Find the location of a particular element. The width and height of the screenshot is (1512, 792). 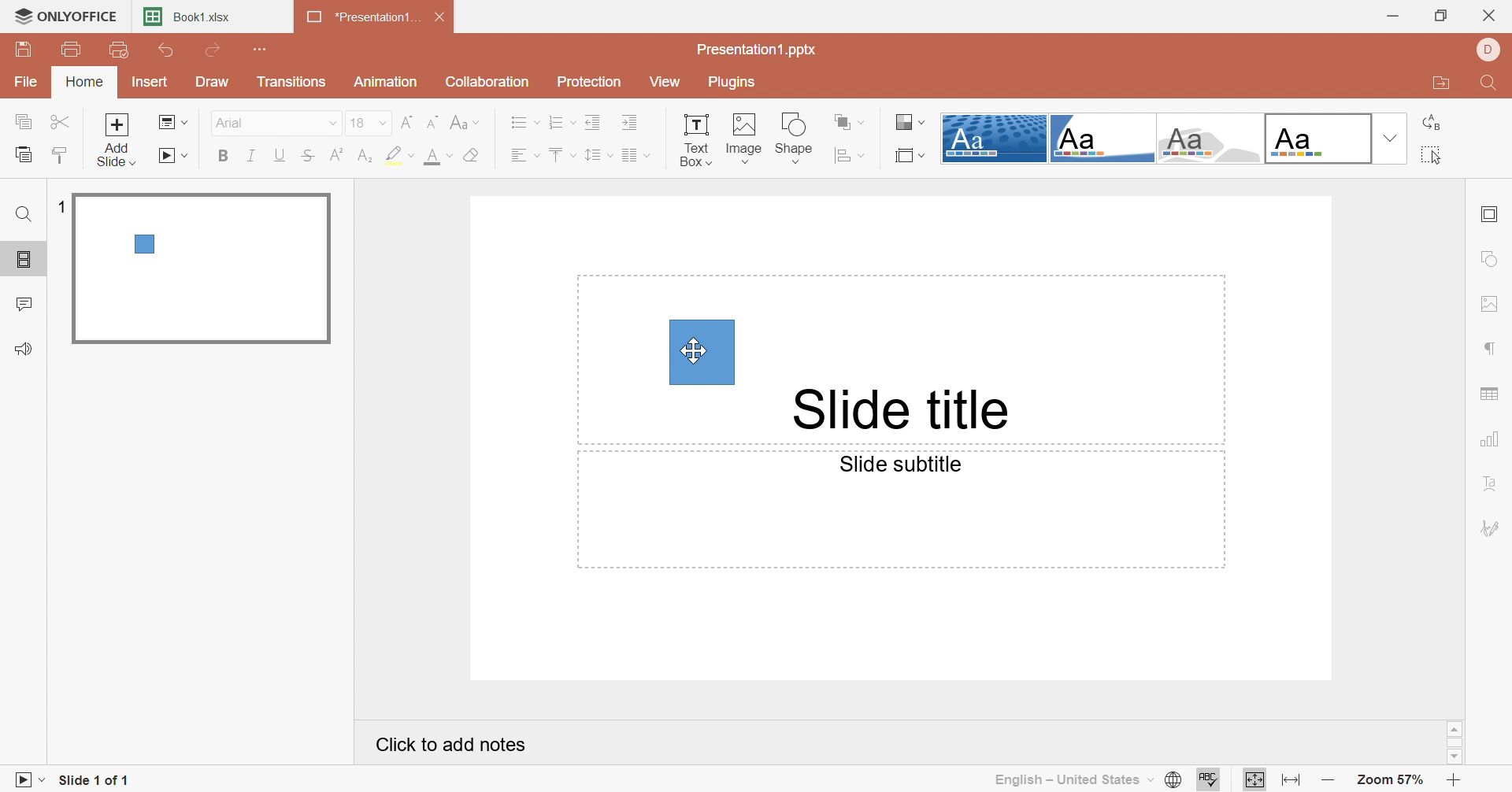

Undo is located at coordinates (166, 54).